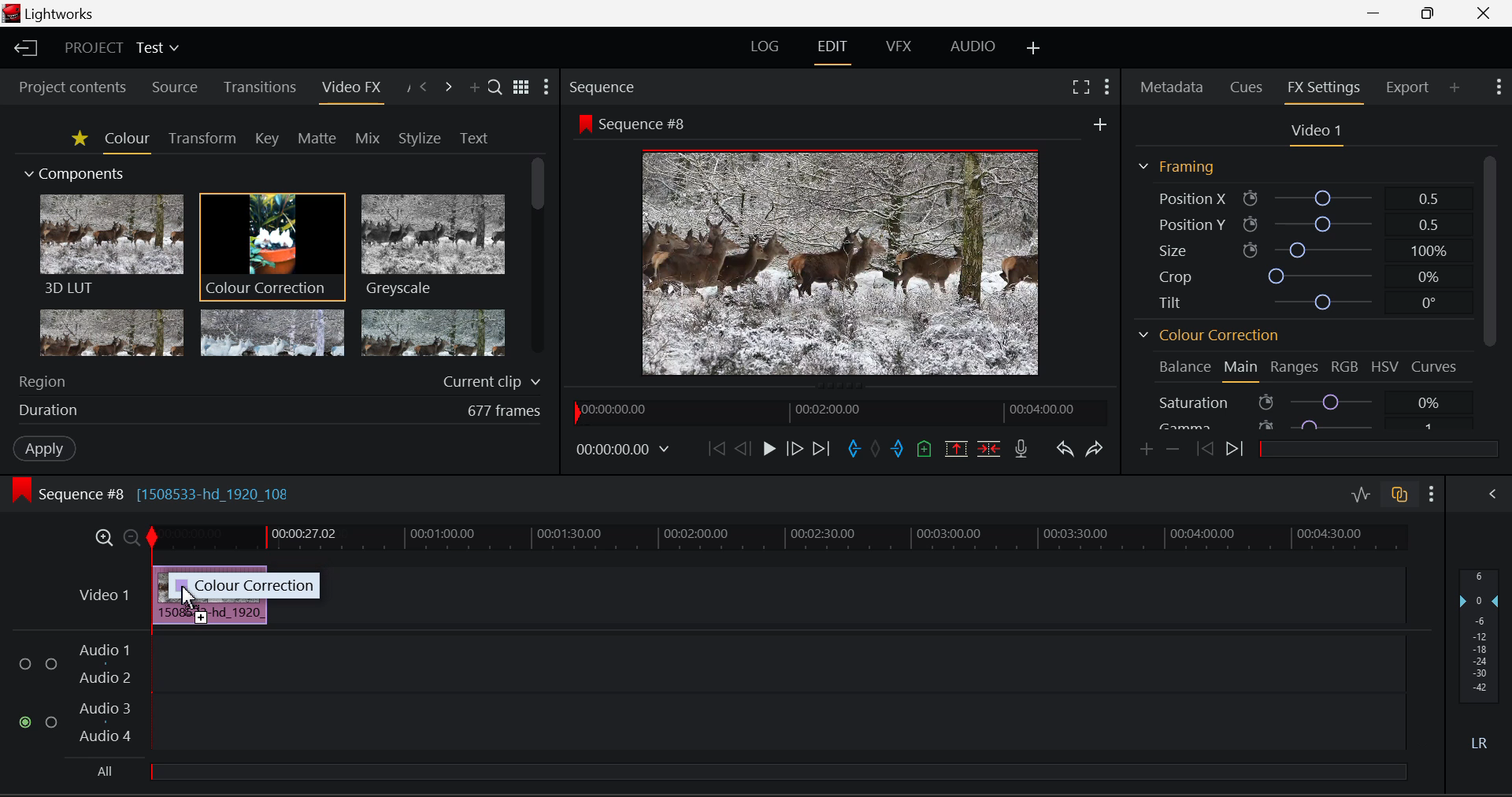 Image resolution: width=1512 pixels, height=797 pixels. What do you see at coordinates (472, 87) in the screenshot?
I see `Add Panel` at bounding box center [472, 87].